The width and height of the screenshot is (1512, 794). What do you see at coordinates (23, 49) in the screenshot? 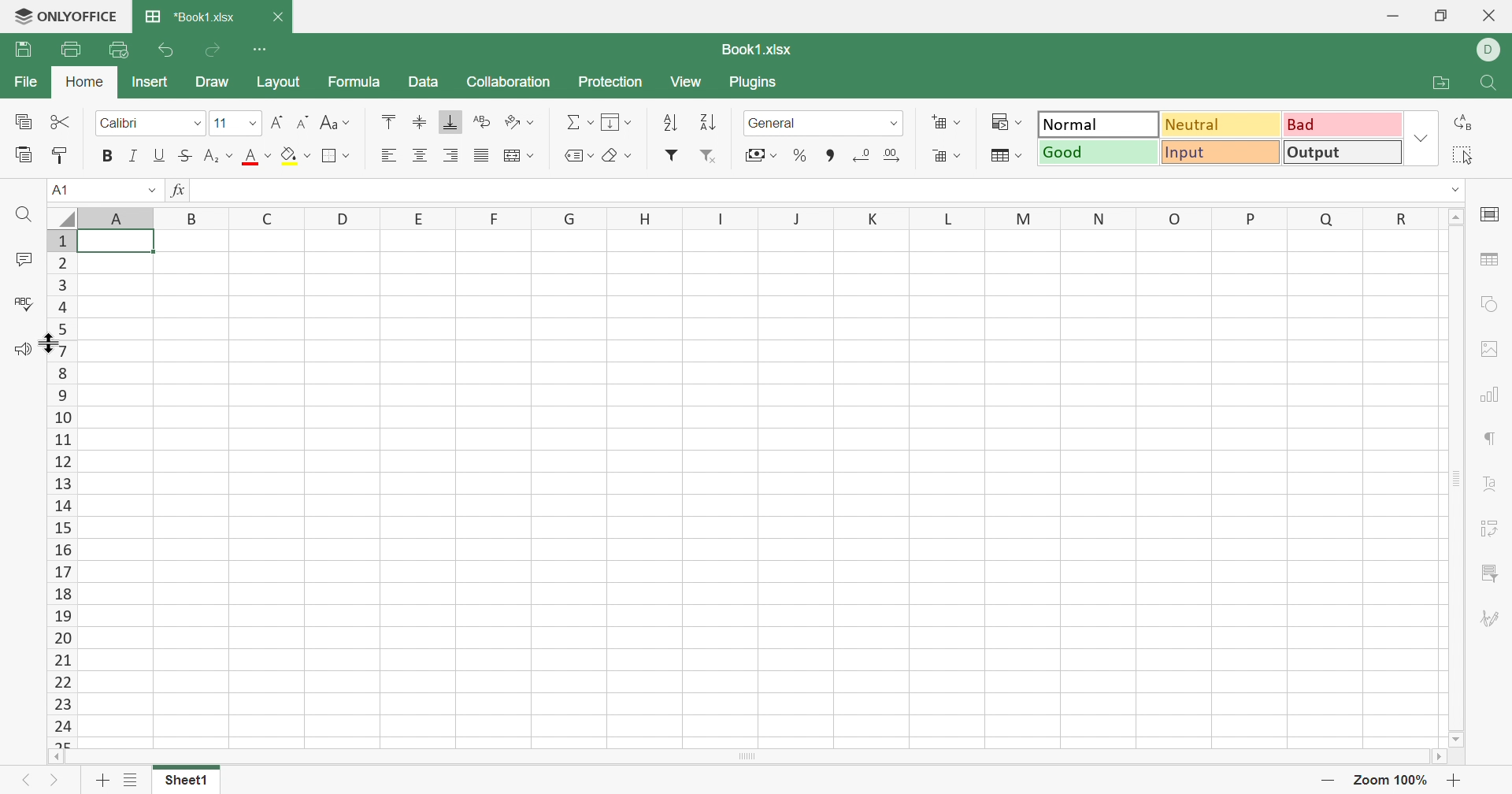
I see `Save` at bounding box center [23, 49].